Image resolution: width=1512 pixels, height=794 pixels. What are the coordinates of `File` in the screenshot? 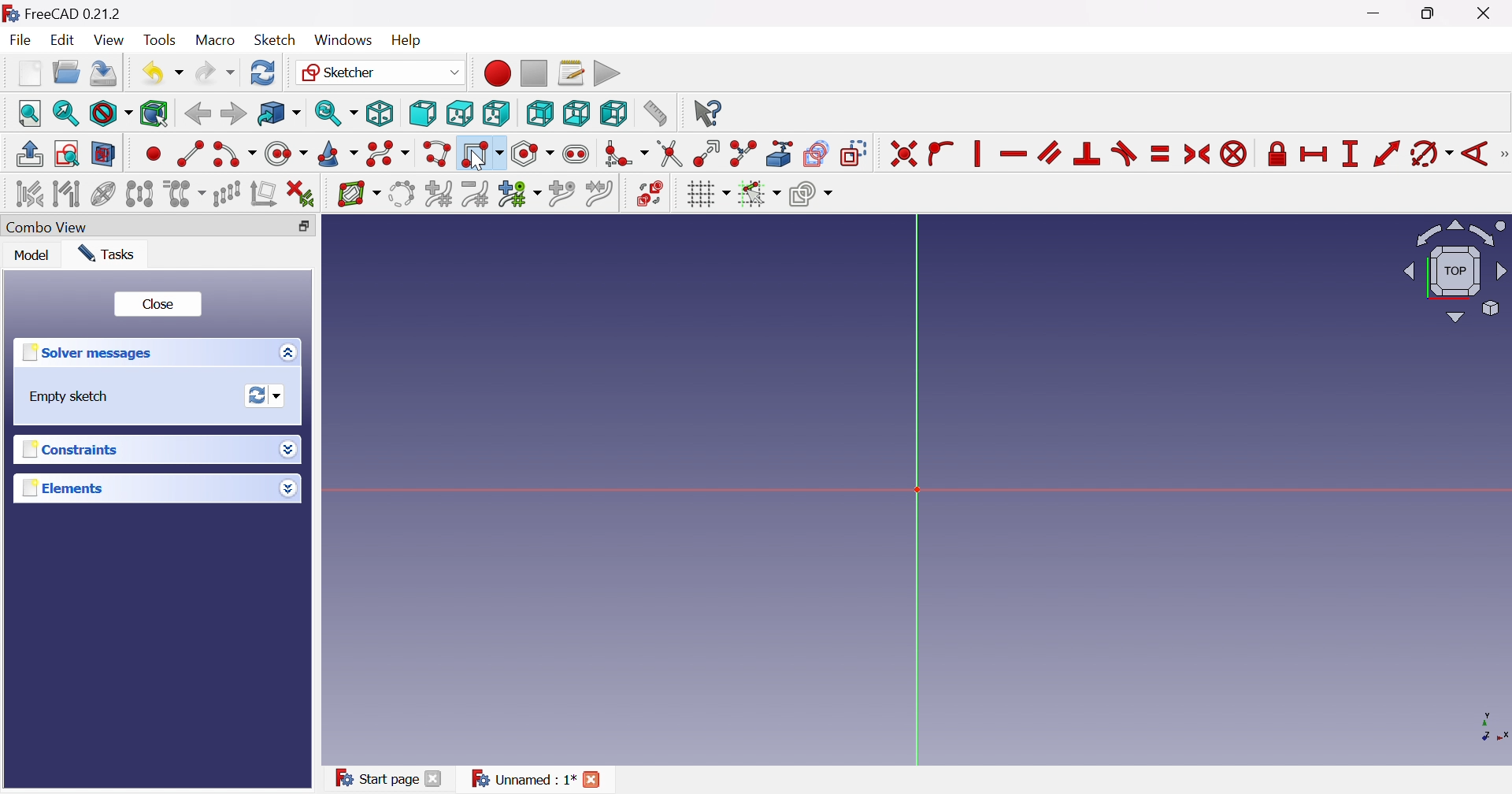 It's located at (20, 39).